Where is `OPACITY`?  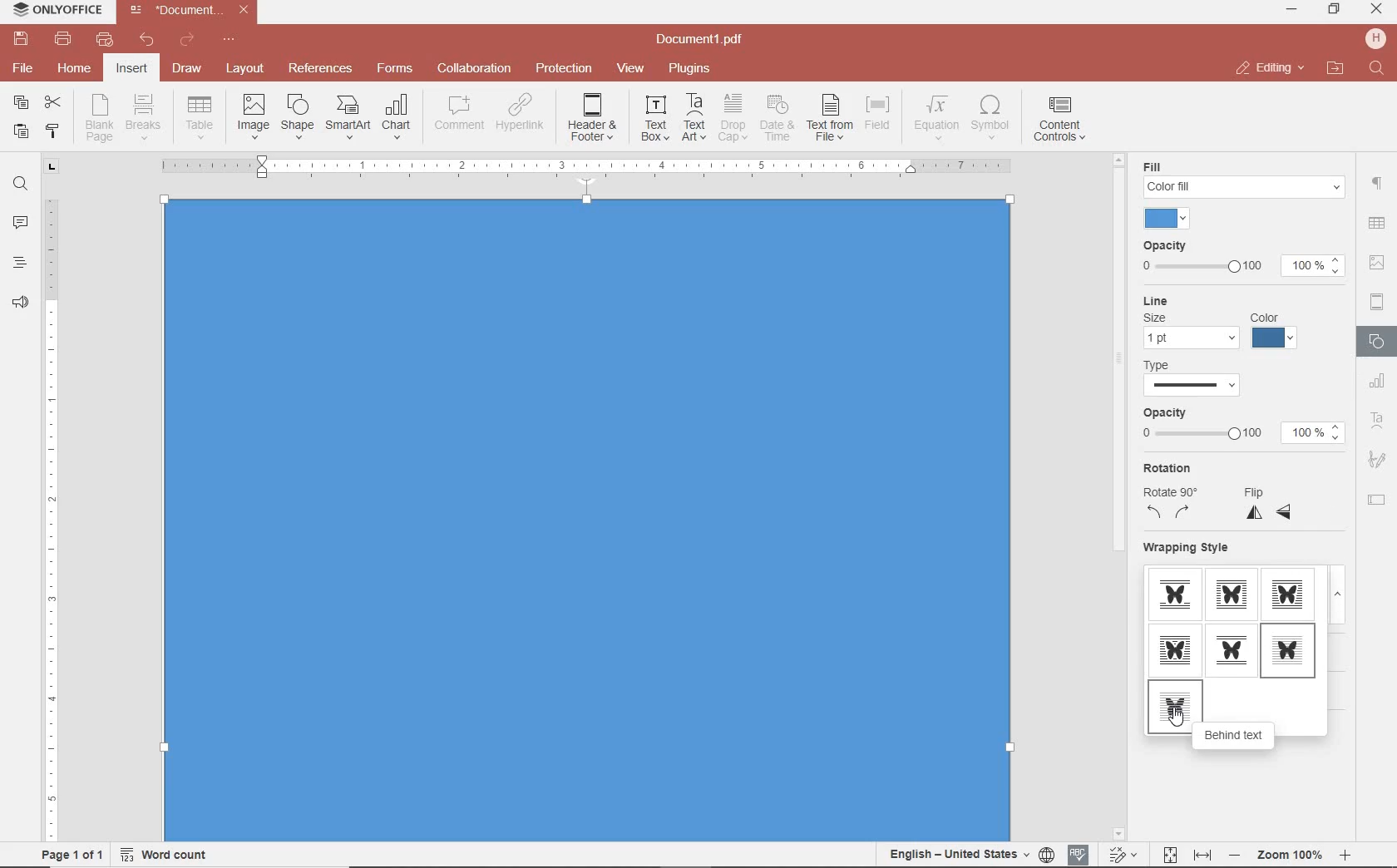
OPACITY is located at coordinates (1241, 429).